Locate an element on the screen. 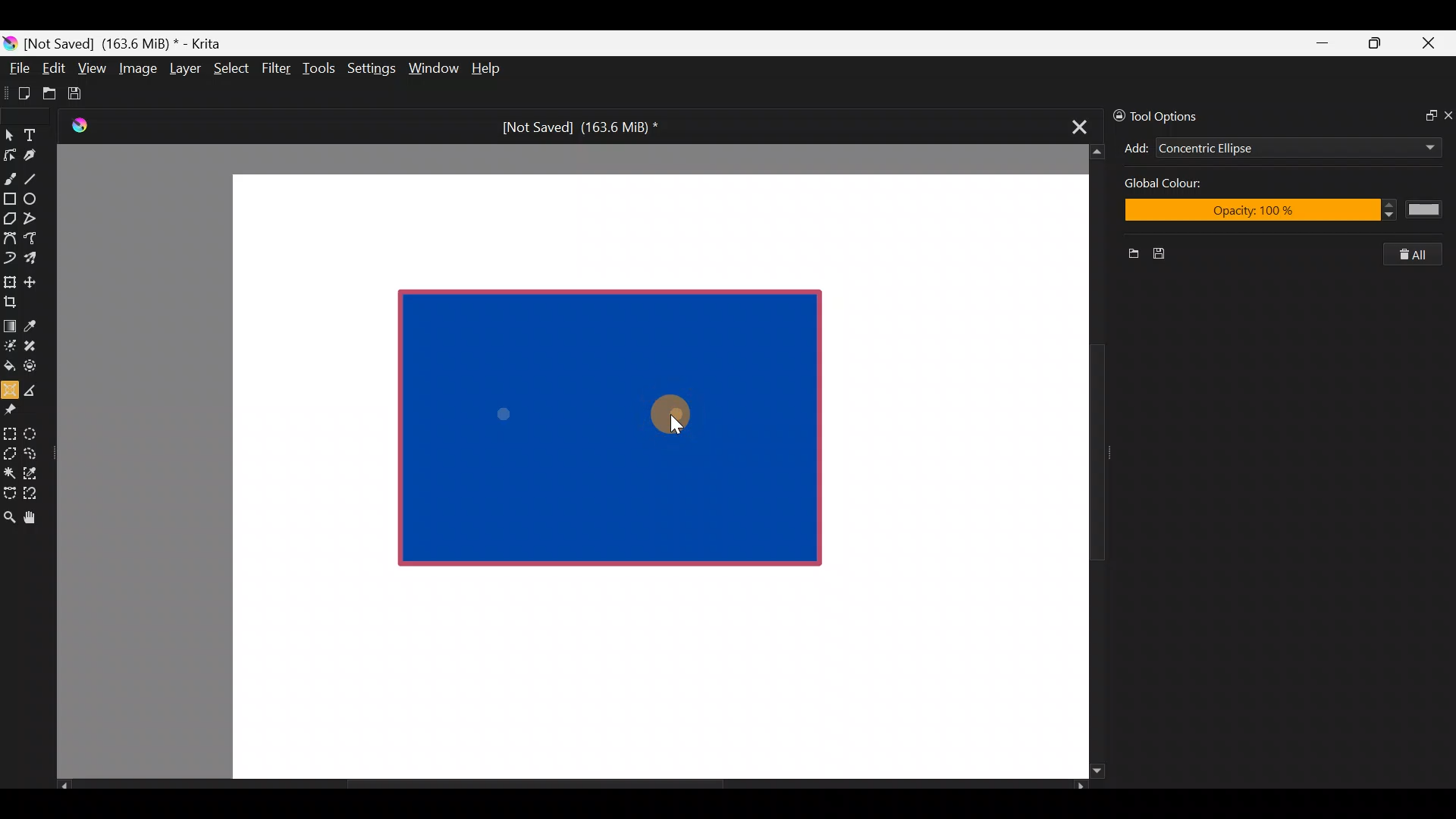 This screenshot has width=1456, height=819. Open an existing document is located at coordinates (50, 96).